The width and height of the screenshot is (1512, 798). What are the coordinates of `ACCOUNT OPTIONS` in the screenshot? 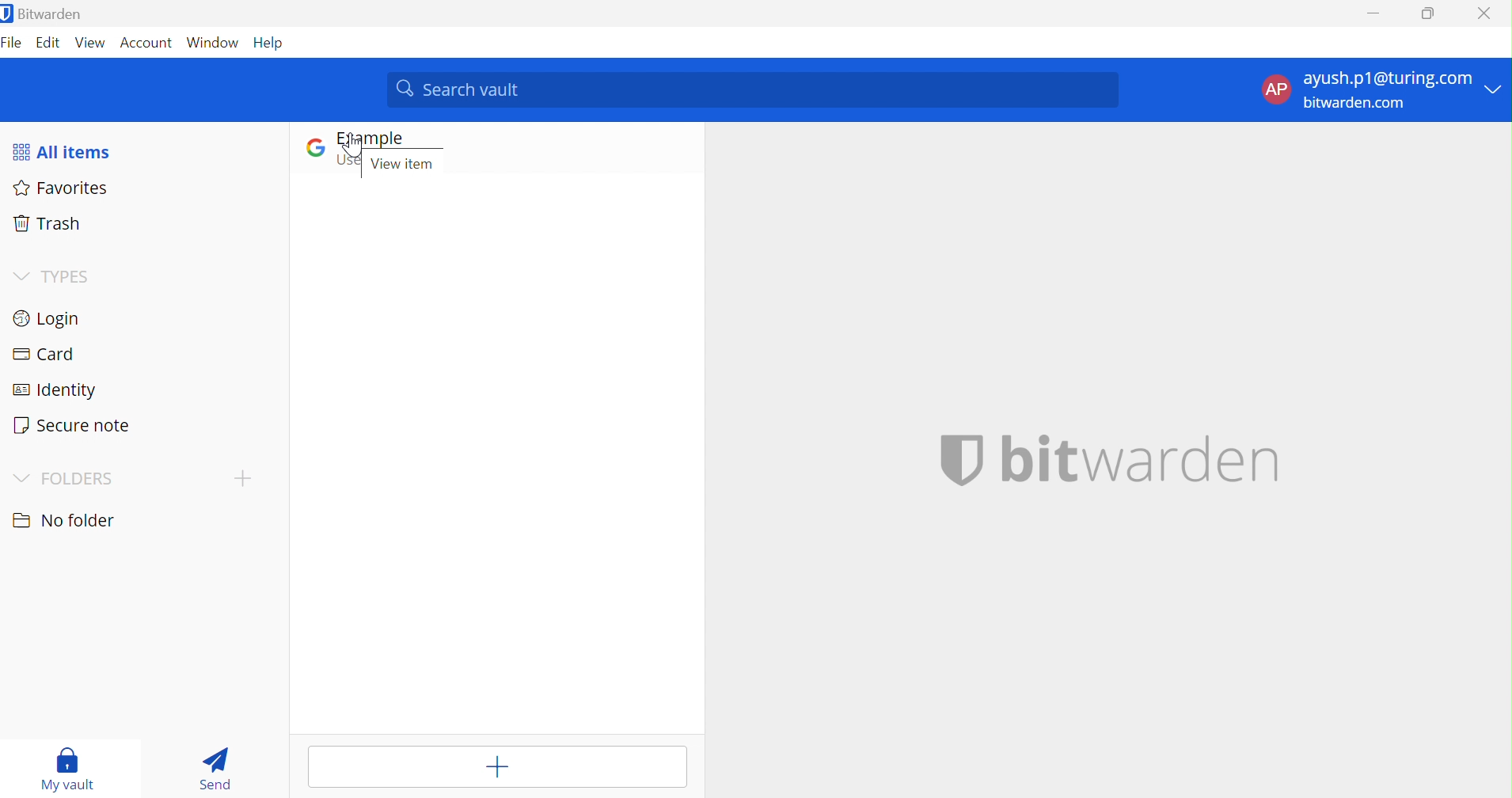 It's located at (1369, 90).